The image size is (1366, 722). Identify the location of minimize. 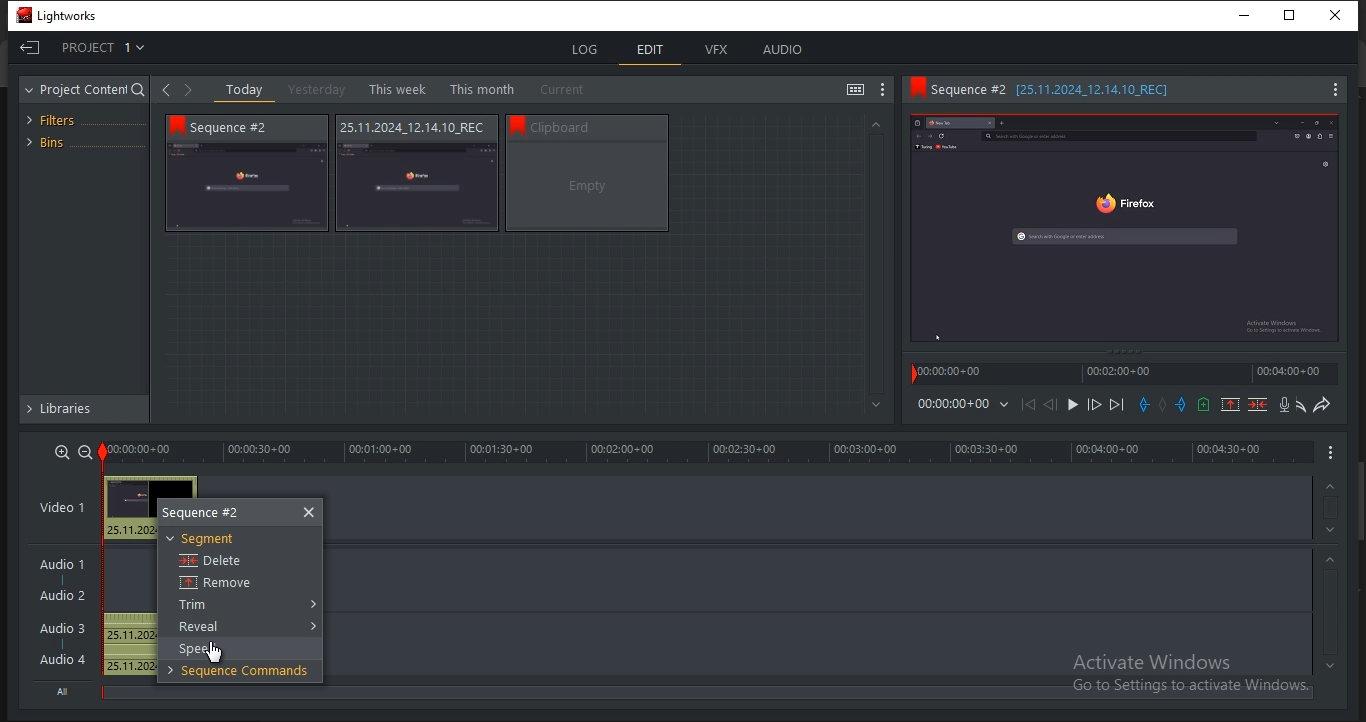
(1251, 14).